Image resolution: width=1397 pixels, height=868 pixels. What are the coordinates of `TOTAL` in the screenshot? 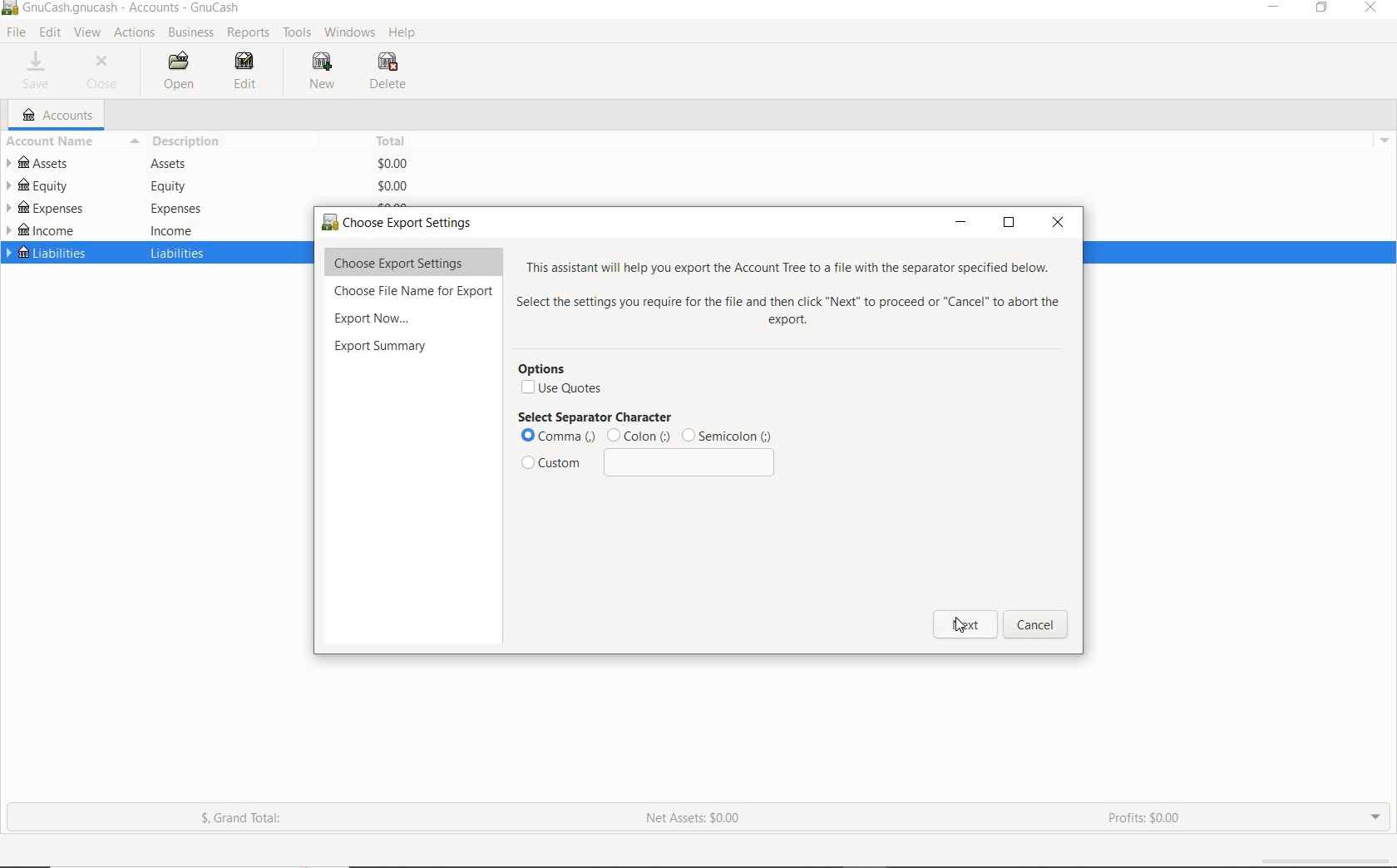 It's located at (393, 141).